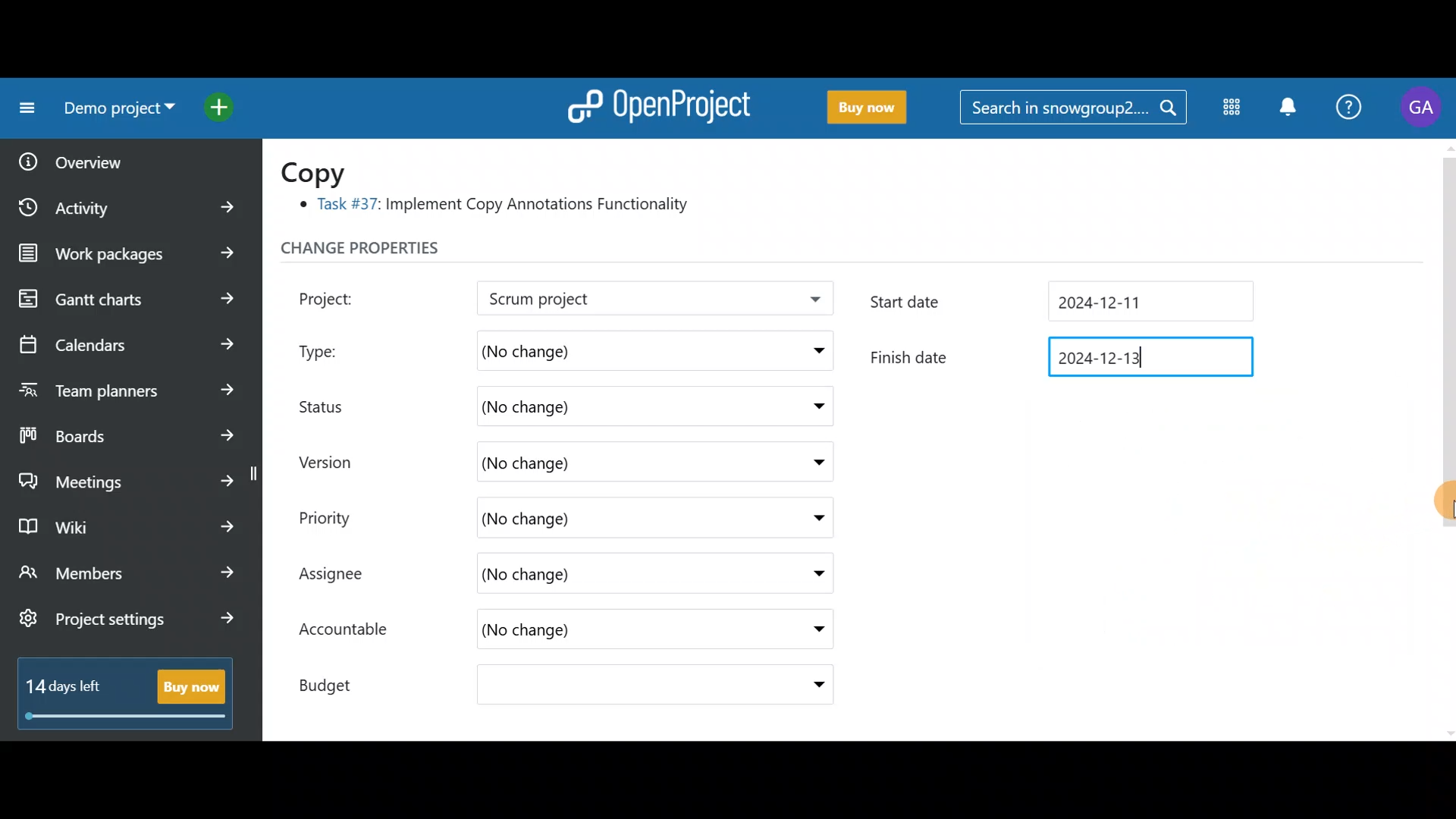 This screenshot has width=1456, height=819. Describe the element at coordinates (932, 303) in the screenshot. I see `Start date` at that location.